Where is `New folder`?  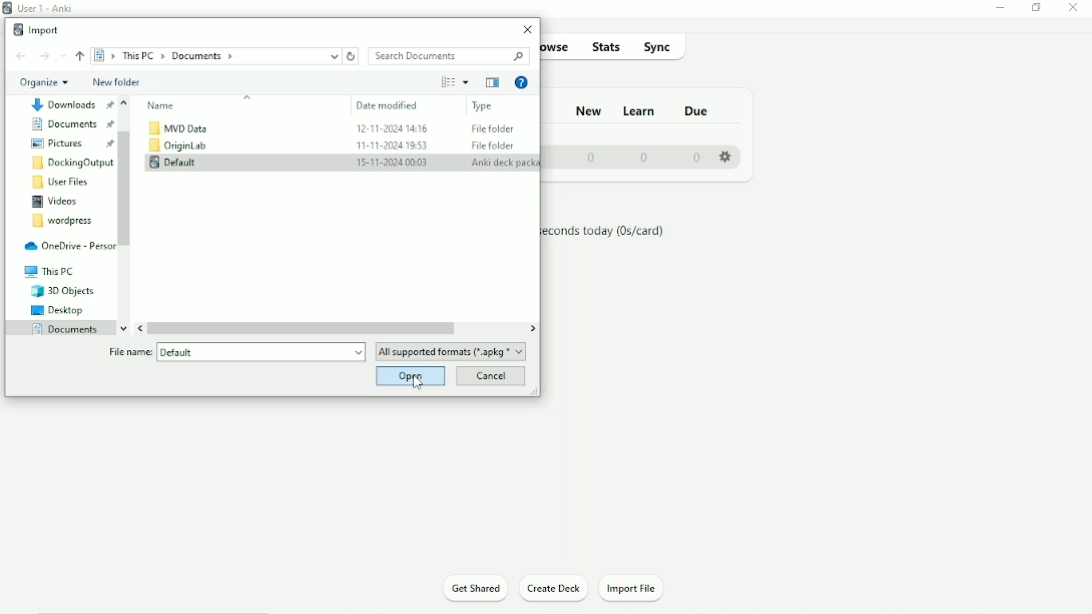 New folder is located at coordinates (118, 82).